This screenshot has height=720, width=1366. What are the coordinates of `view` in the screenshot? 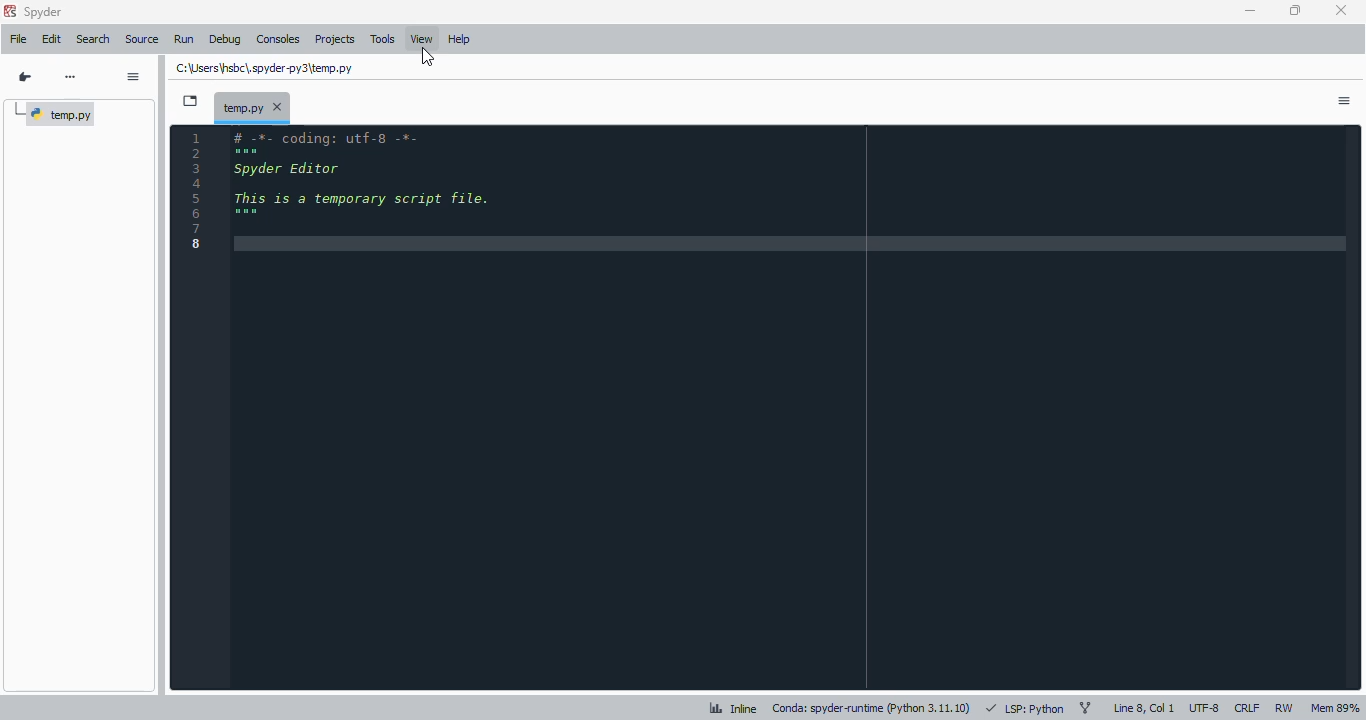 It's located at (422, 39).